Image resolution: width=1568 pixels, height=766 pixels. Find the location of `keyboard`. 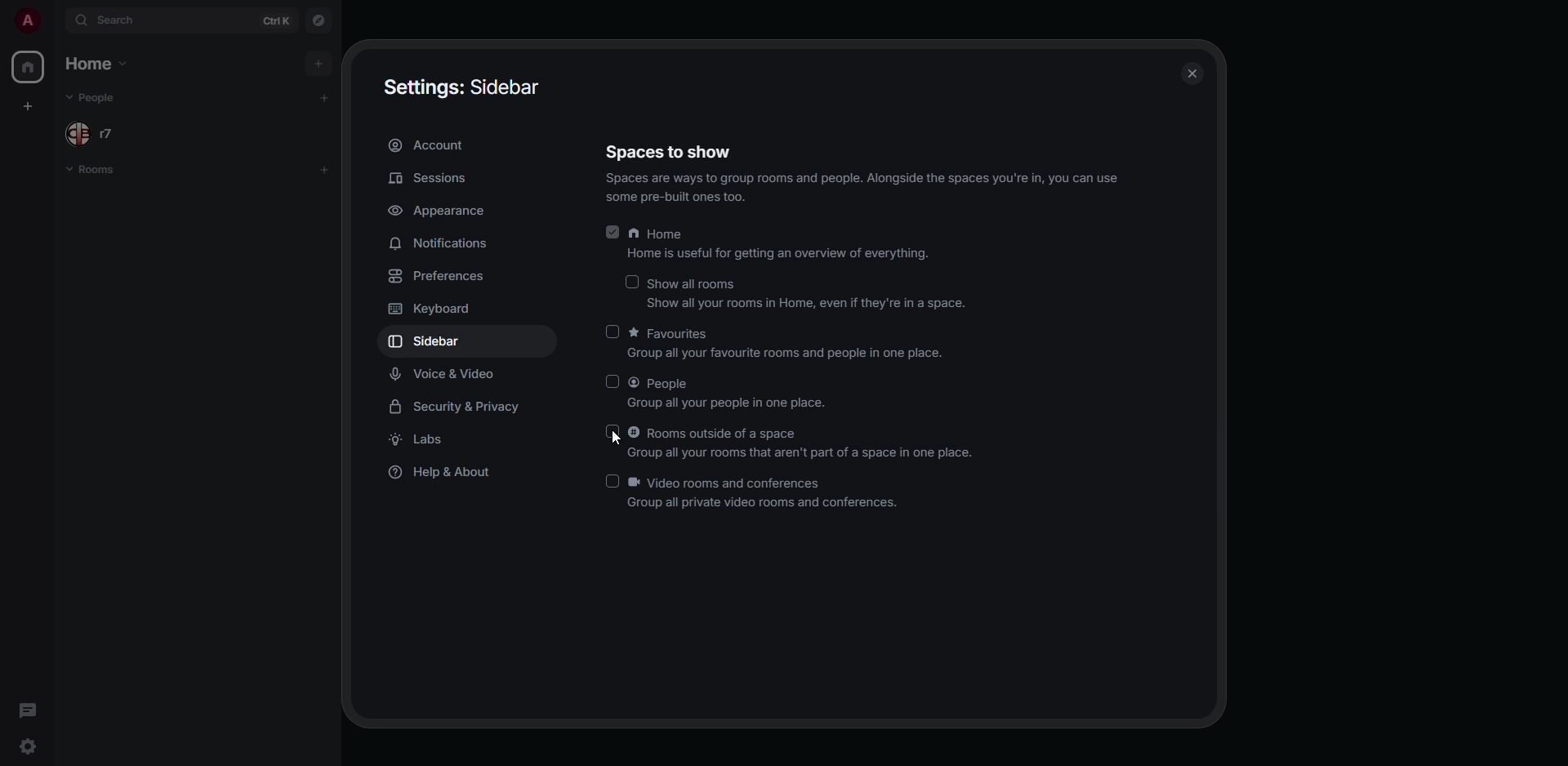

keyboard is located at coordinates (430, 311).